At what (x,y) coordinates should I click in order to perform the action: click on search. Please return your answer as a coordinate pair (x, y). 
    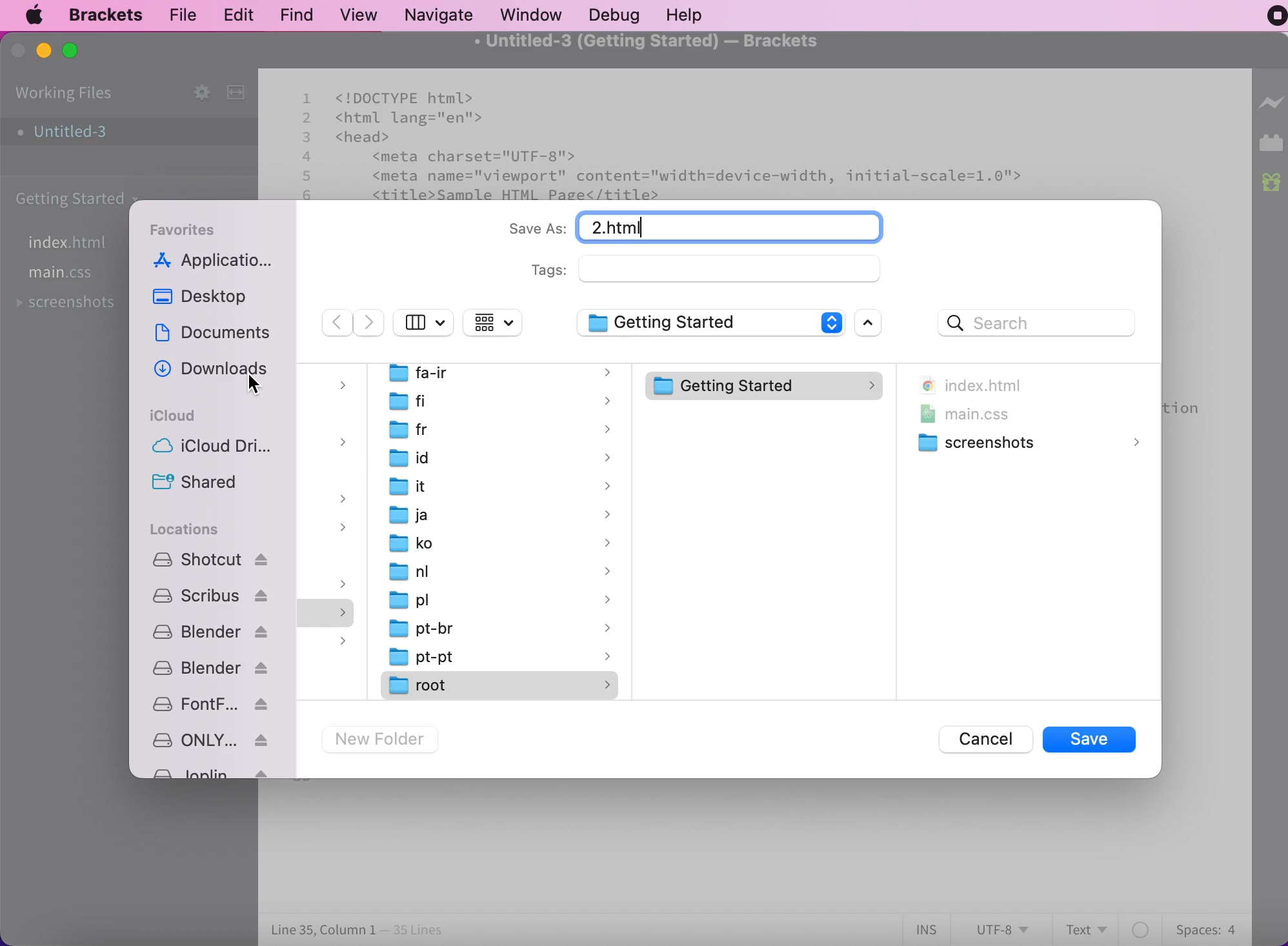
    Looking at the image, I should click on (1038, 325).